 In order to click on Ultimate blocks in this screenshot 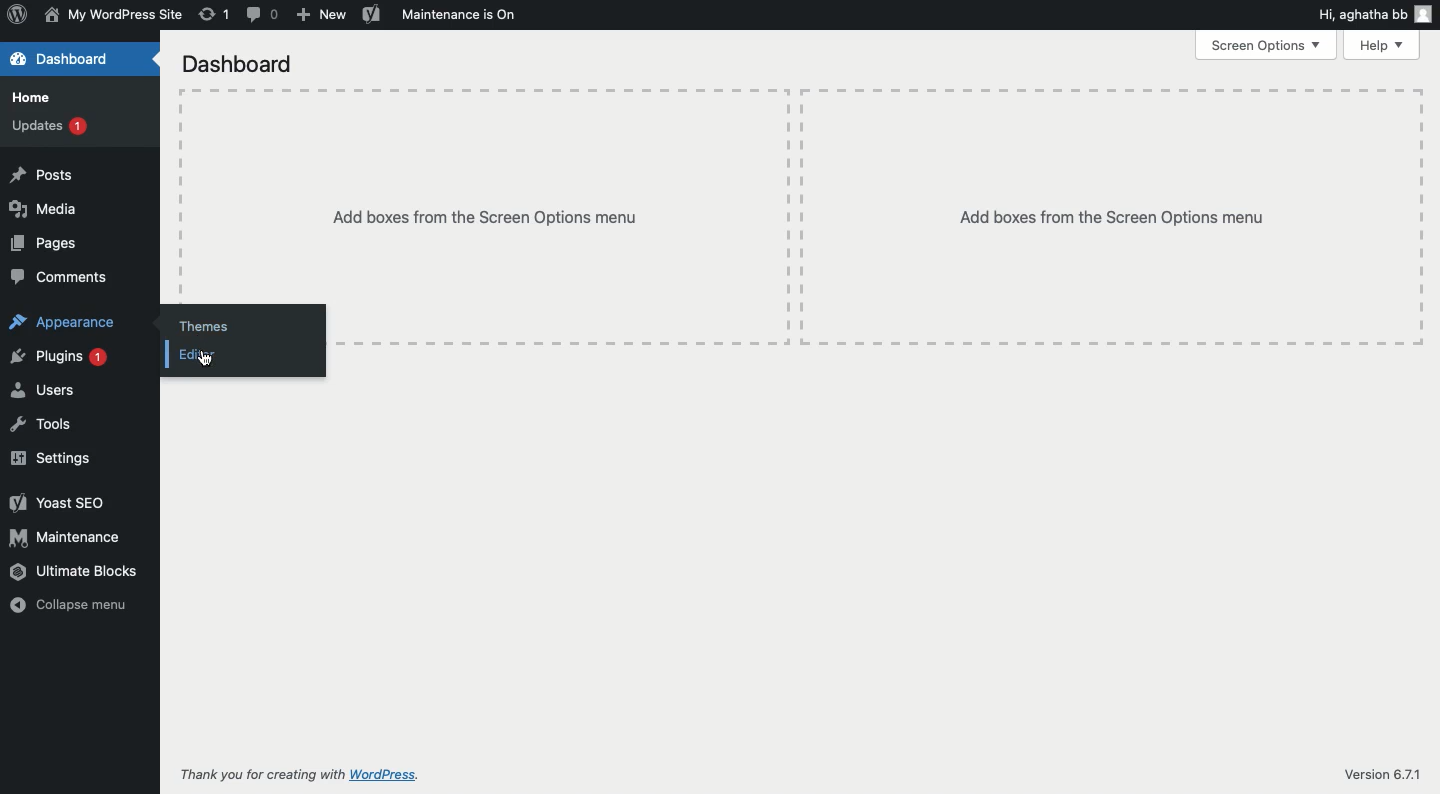, I will do `click(77, 571)`.